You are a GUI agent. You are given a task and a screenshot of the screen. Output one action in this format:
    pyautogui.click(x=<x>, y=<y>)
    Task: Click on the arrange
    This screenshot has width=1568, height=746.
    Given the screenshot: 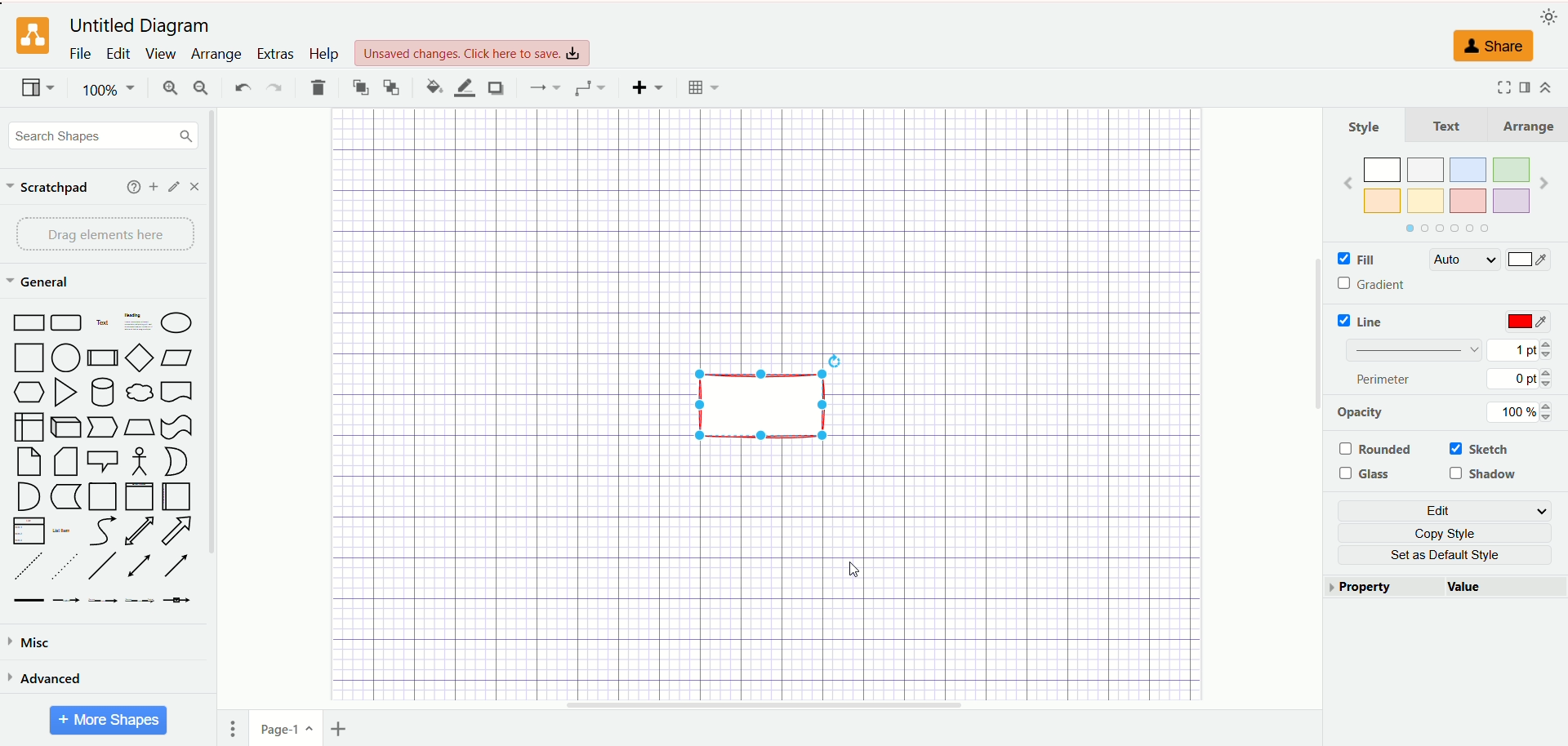 What is the action you would take?
    pyautogui.click(x=212, y=55)
    